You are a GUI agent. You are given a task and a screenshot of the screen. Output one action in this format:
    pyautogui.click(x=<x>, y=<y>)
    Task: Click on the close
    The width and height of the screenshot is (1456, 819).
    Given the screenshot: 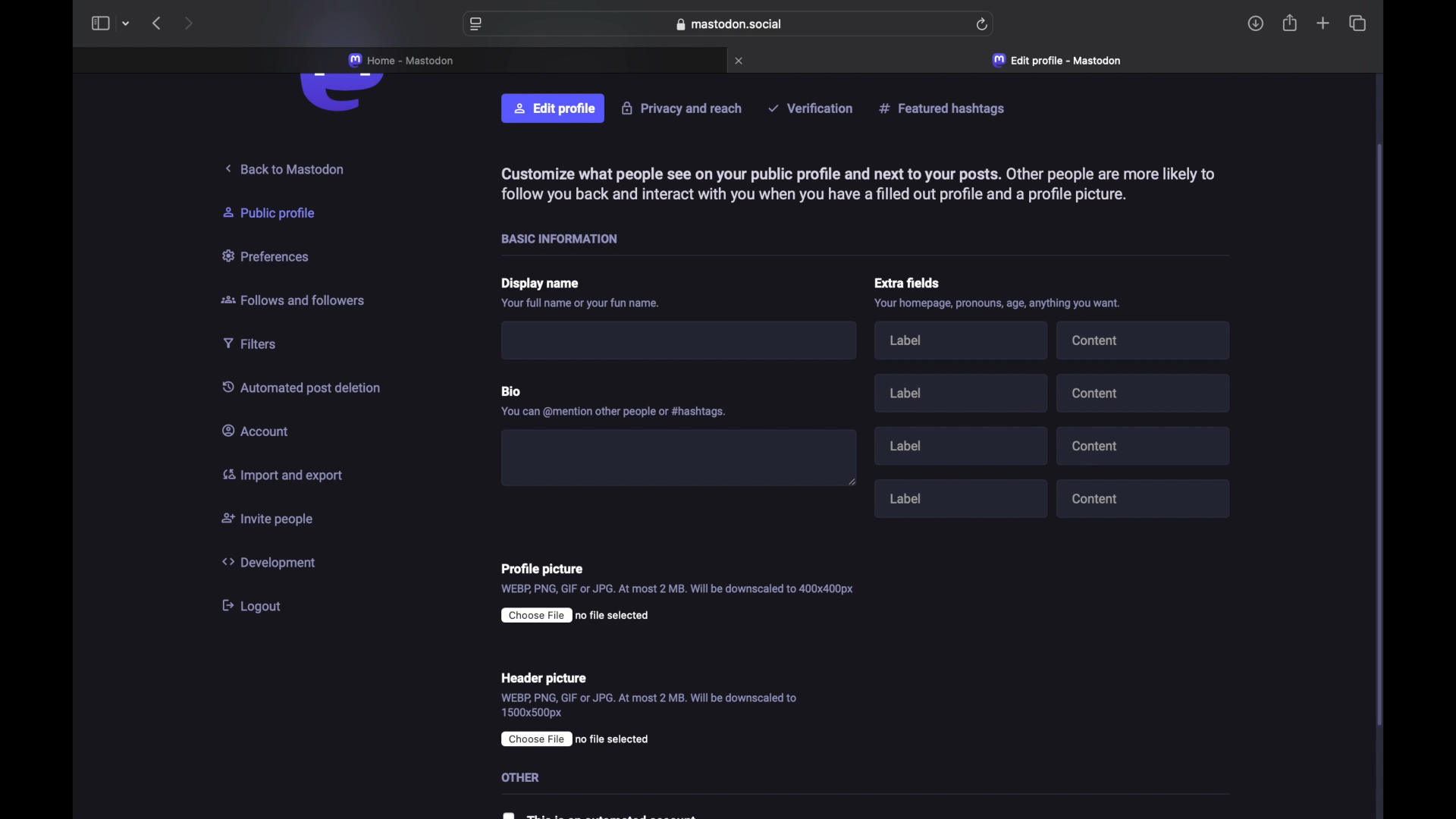 What is the action you would take?
    pyautogui.click(x=741, y=61)
    